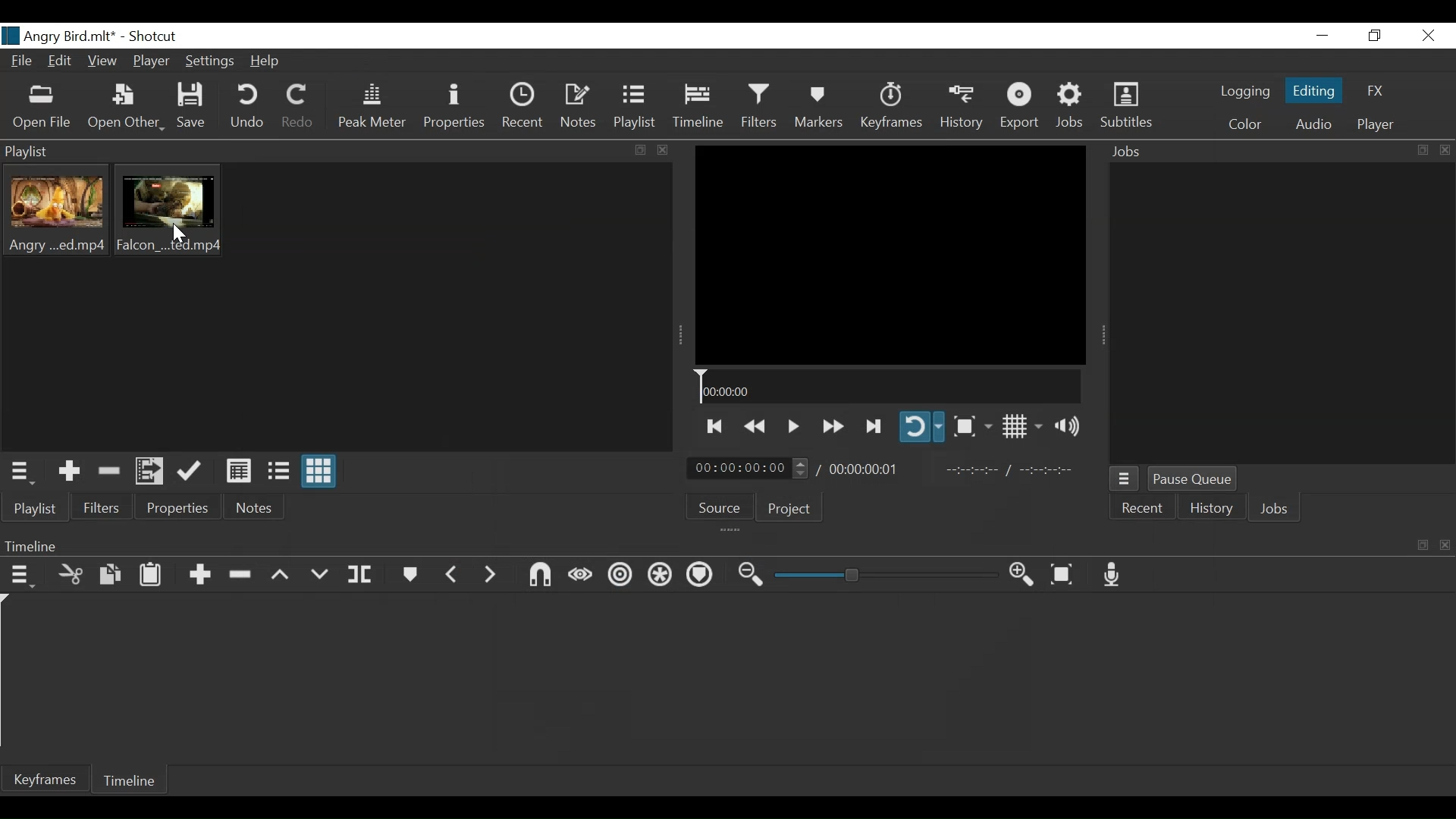 The width and height of the screenshot is (1456, 819). I want to click on Jobs, so click(1131, 152).